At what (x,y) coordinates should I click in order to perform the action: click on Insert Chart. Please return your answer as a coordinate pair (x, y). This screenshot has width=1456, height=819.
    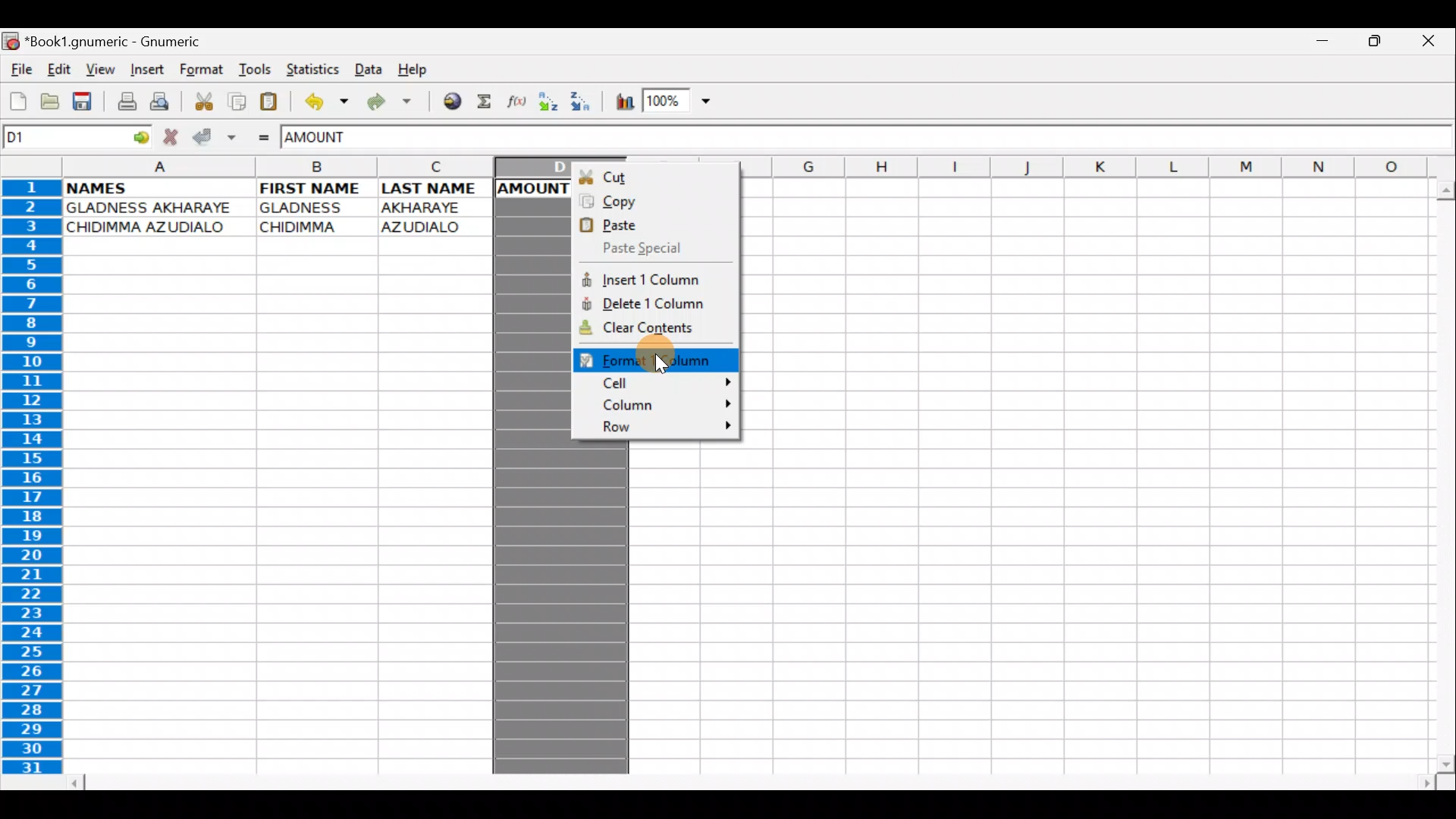
    Looking at the image, I should click on (619, 102).